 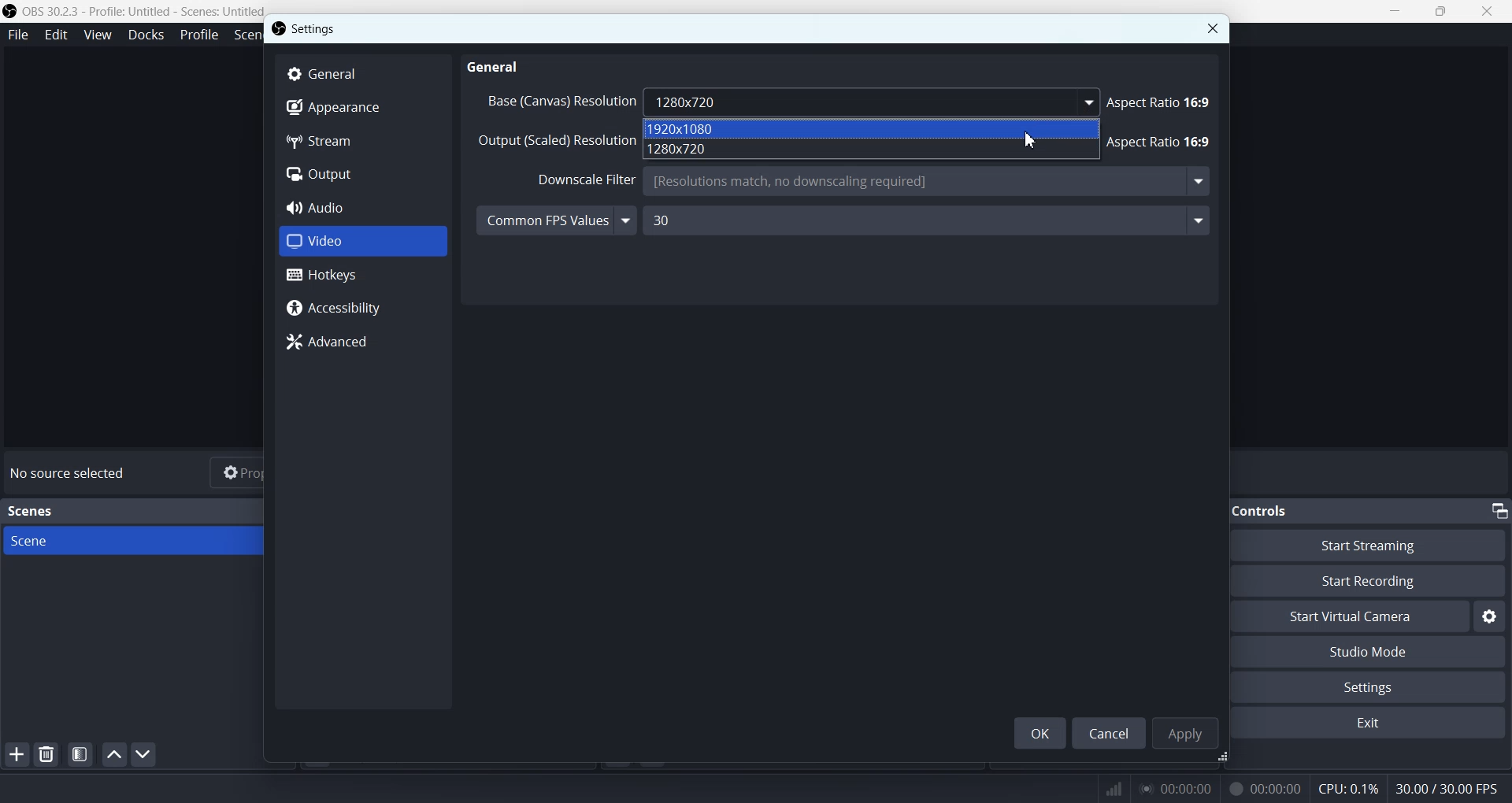 What do you see at coordinates (1158, 101) in the screenshot?
I see `aspect ratio` at bounding box center [1158, 101].